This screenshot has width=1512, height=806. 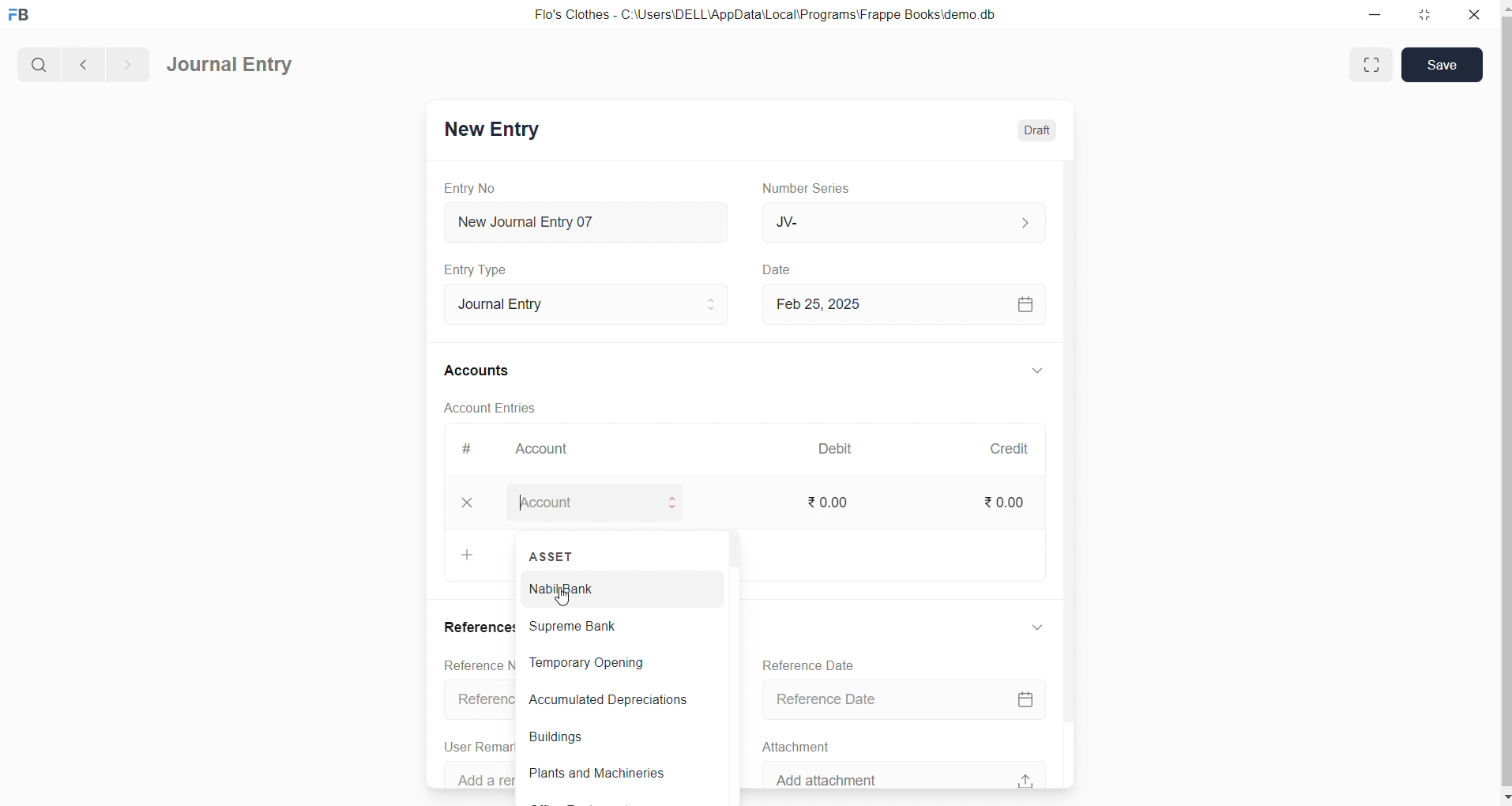 I want to click on Accounts, so click(x=486, y=372).